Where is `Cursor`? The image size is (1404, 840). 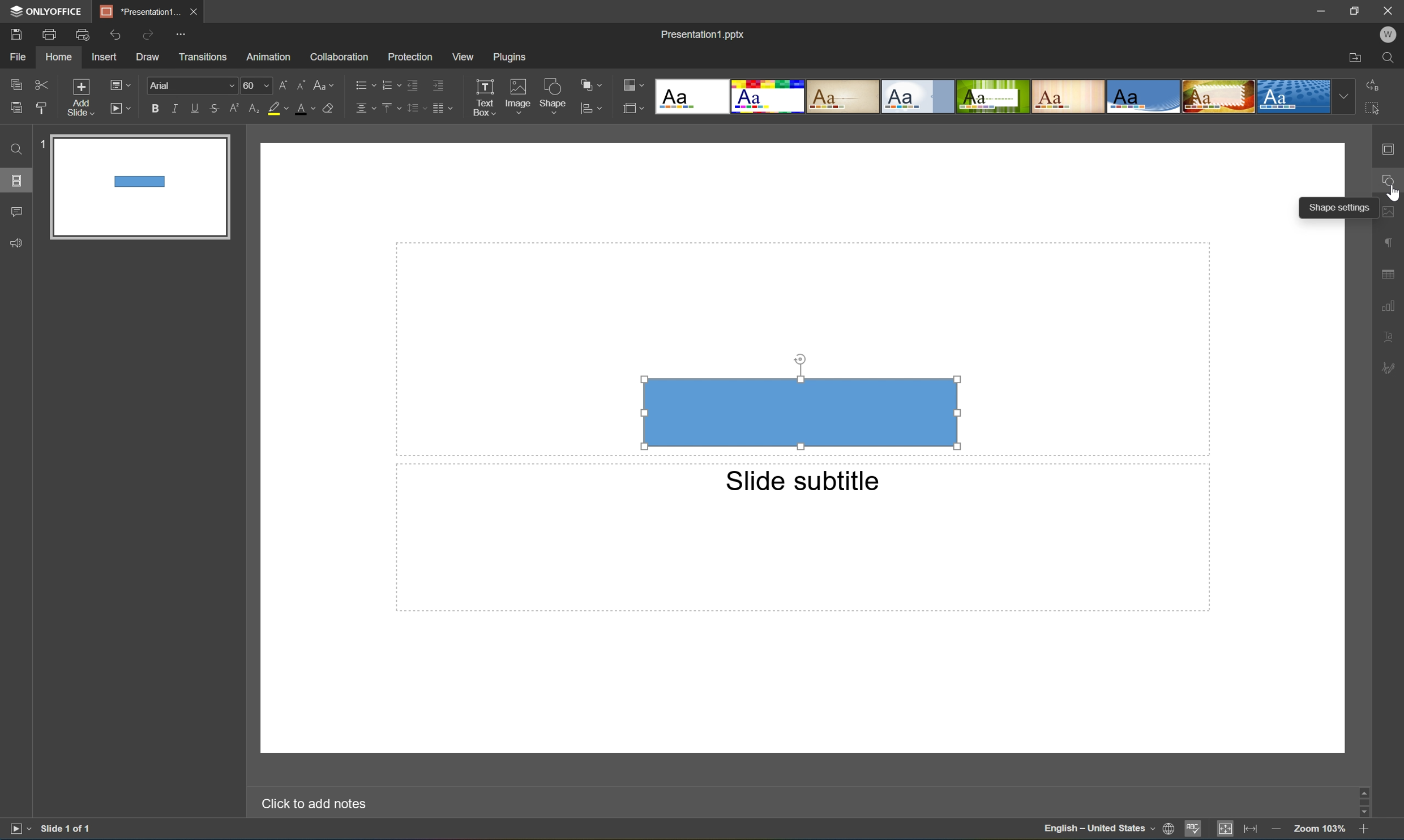 Cursor is located at coordinates (954, 445).